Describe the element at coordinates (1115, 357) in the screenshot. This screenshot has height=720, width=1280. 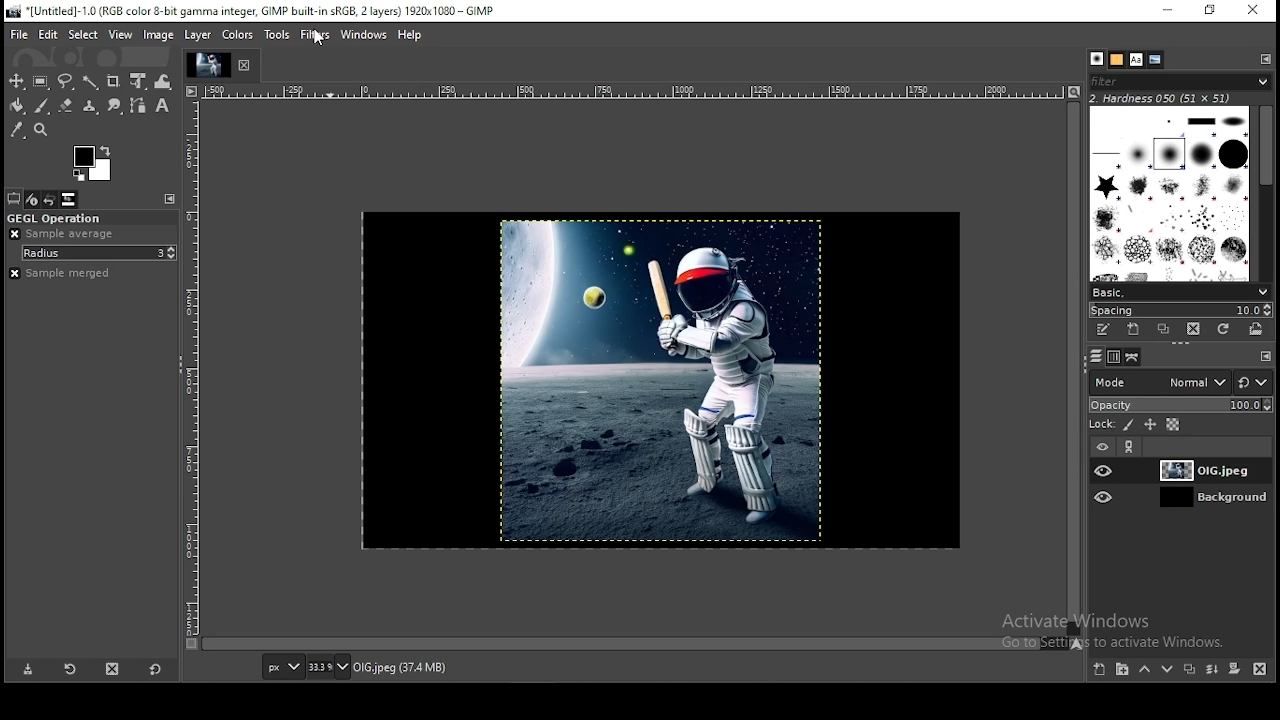
I see `channels ` at that location.